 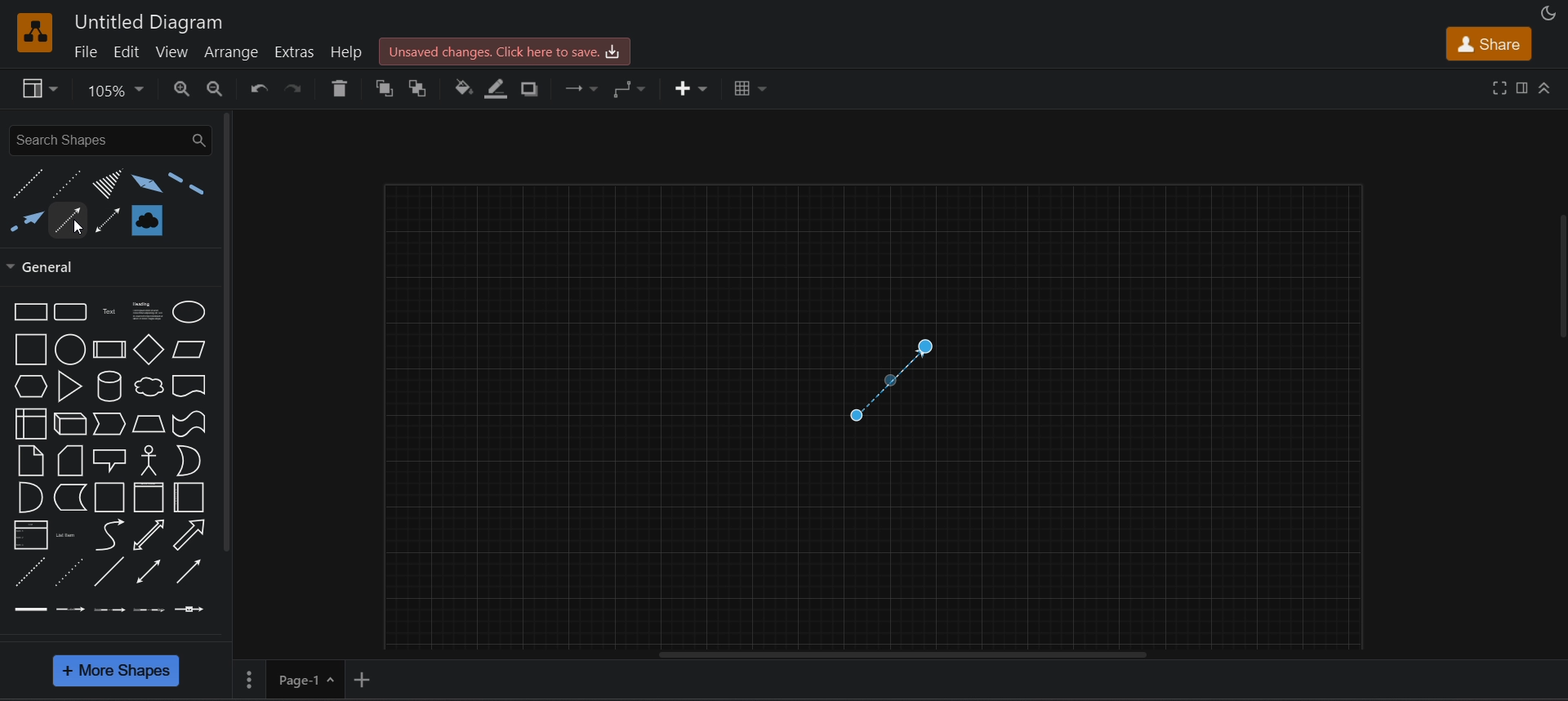 I want to click on list, so click(x=26, y=535).